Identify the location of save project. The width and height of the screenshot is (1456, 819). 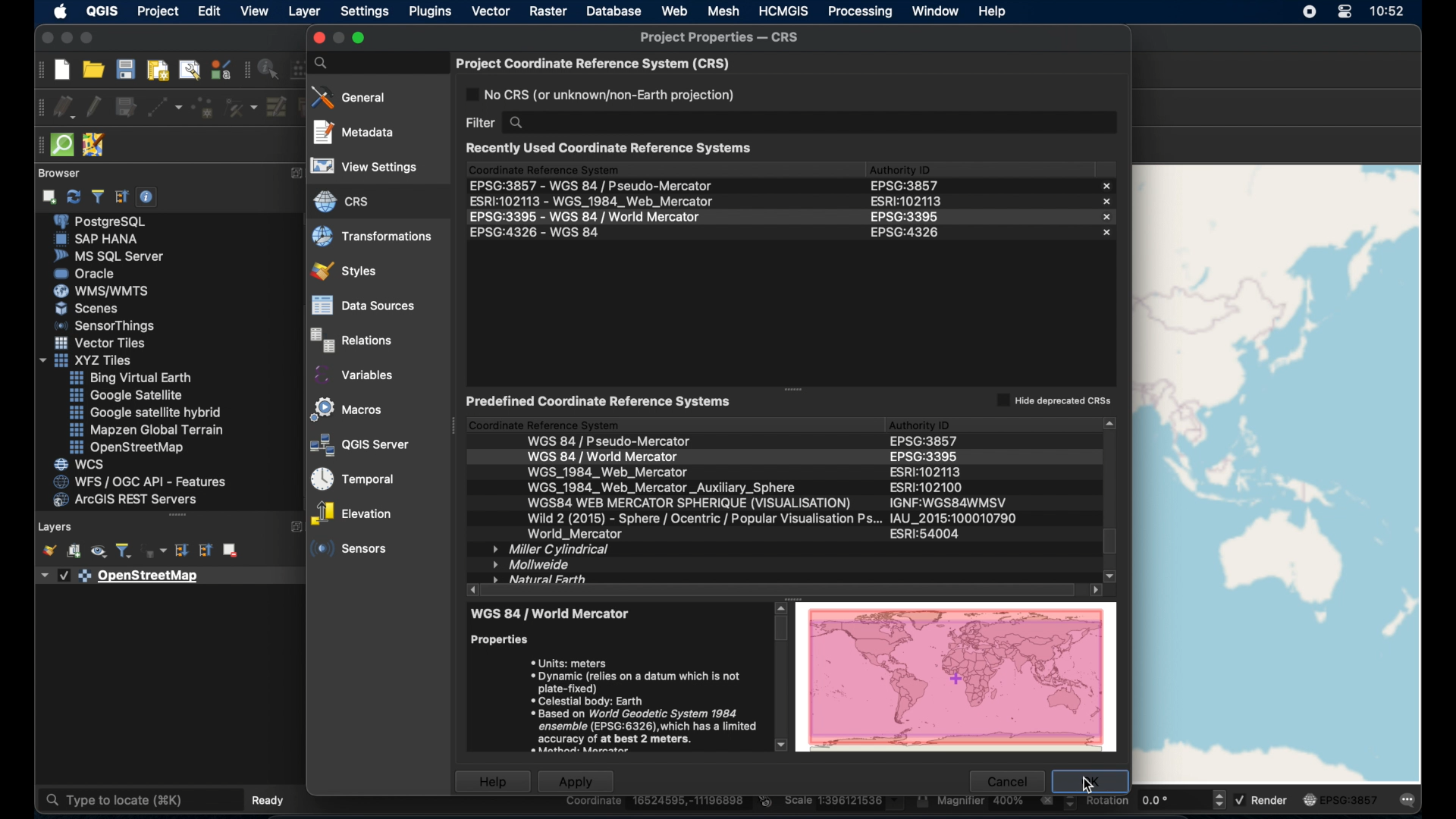
(125, 70).